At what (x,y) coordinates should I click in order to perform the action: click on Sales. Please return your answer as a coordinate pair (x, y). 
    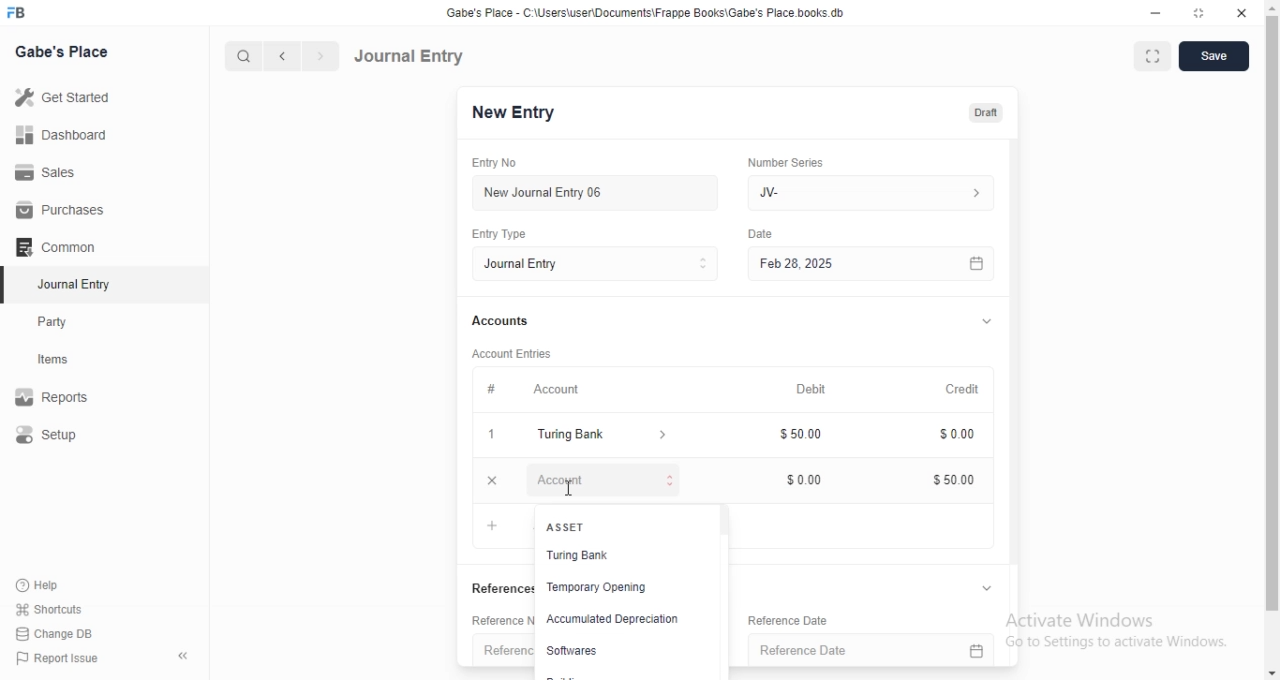
    Looking at the image, I should click on (64, 171).